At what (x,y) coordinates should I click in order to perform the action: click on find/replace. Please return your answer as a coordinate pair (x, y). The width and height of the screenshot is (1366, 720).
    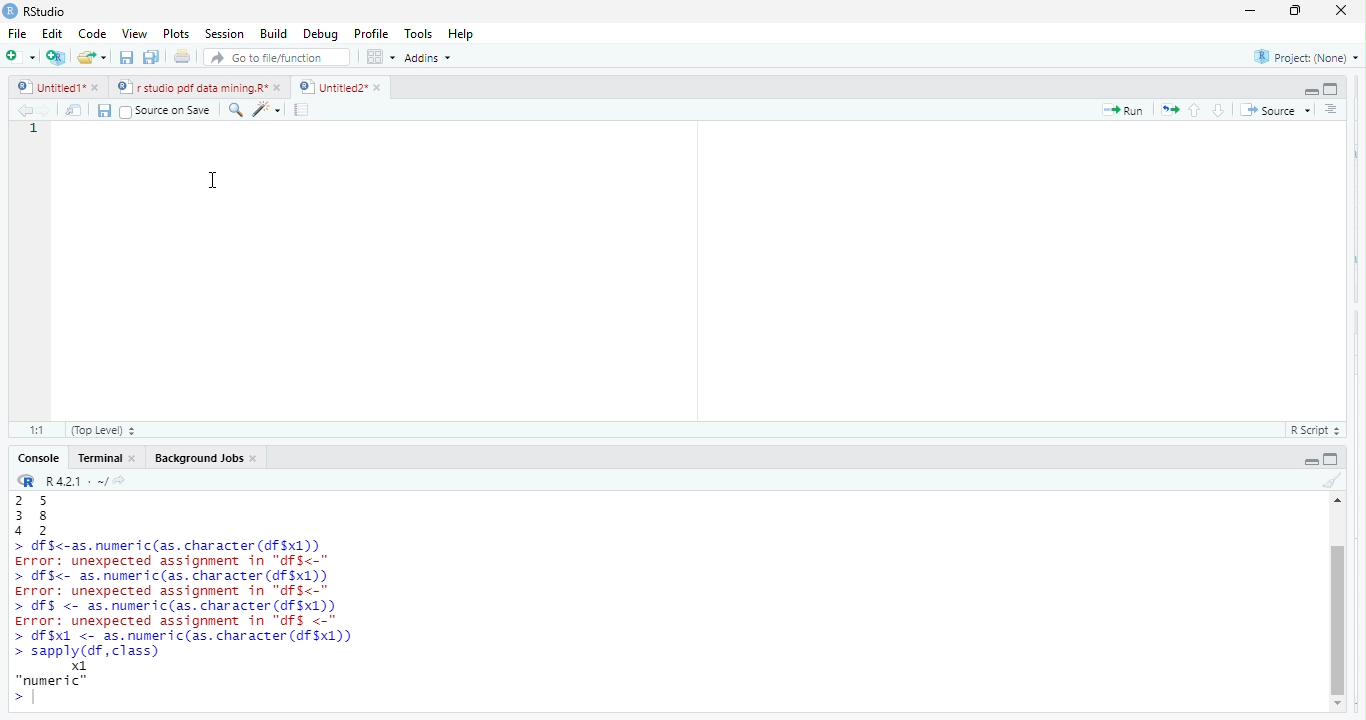
    Looking at the image, I should click on (238, 112).